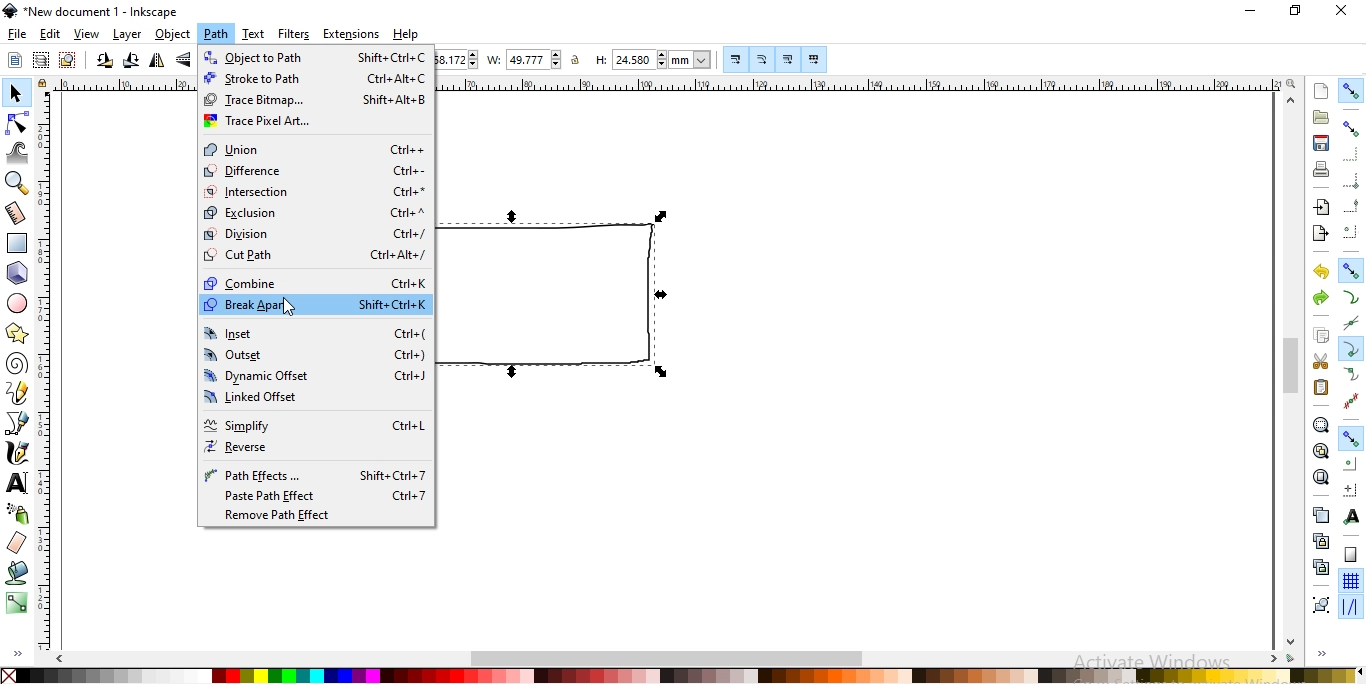 Image resolution: width=1366 pixels, height=684 pixels. What do you see at coordinates (1319, 234) in the screenshot?
I see `export a document` at bounding box center [1319, 234].